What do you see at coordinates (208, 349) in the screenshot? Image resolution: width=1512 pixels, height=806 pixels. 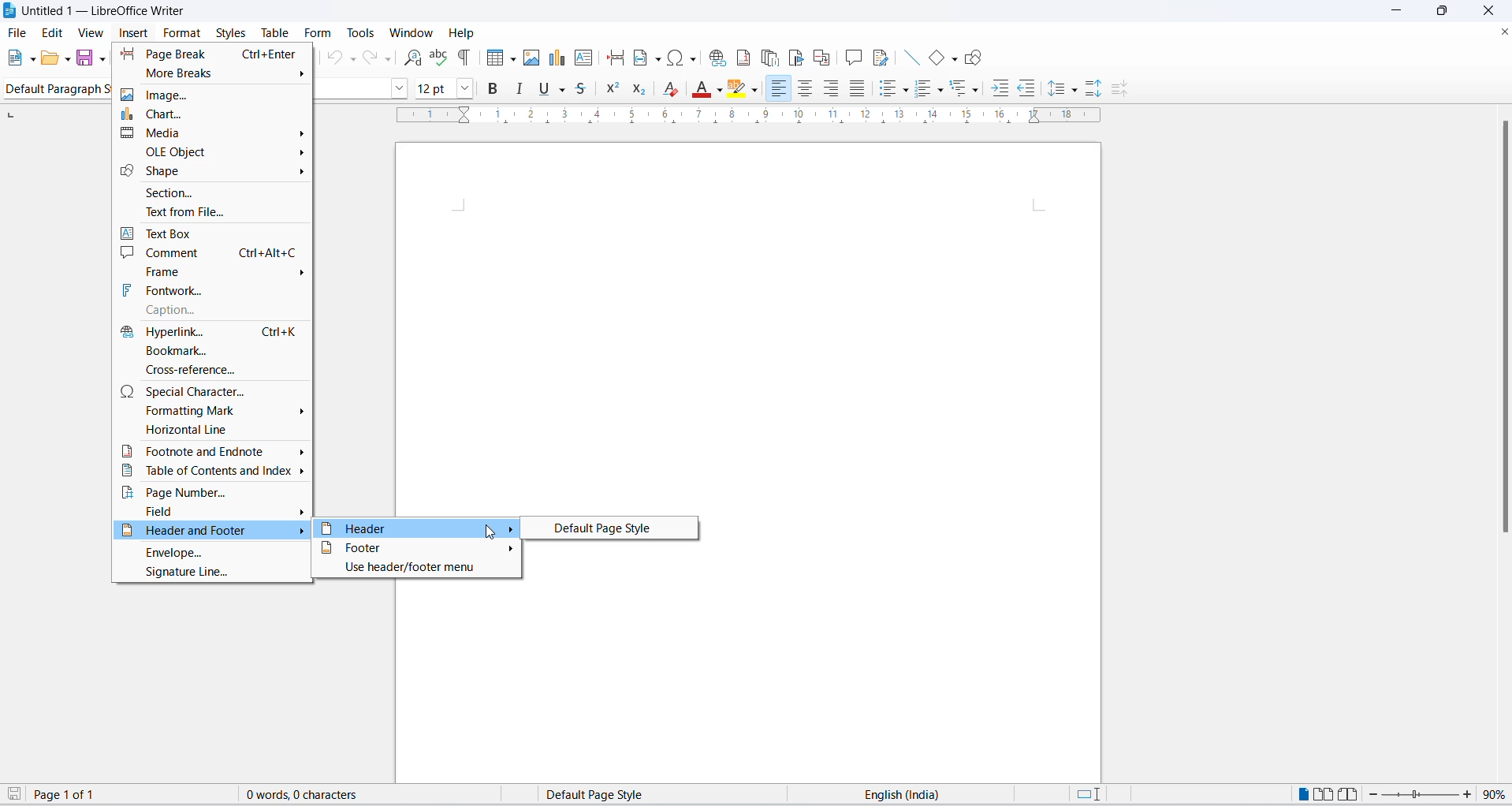 I see `bookmark` at bounding box center [208, 349].